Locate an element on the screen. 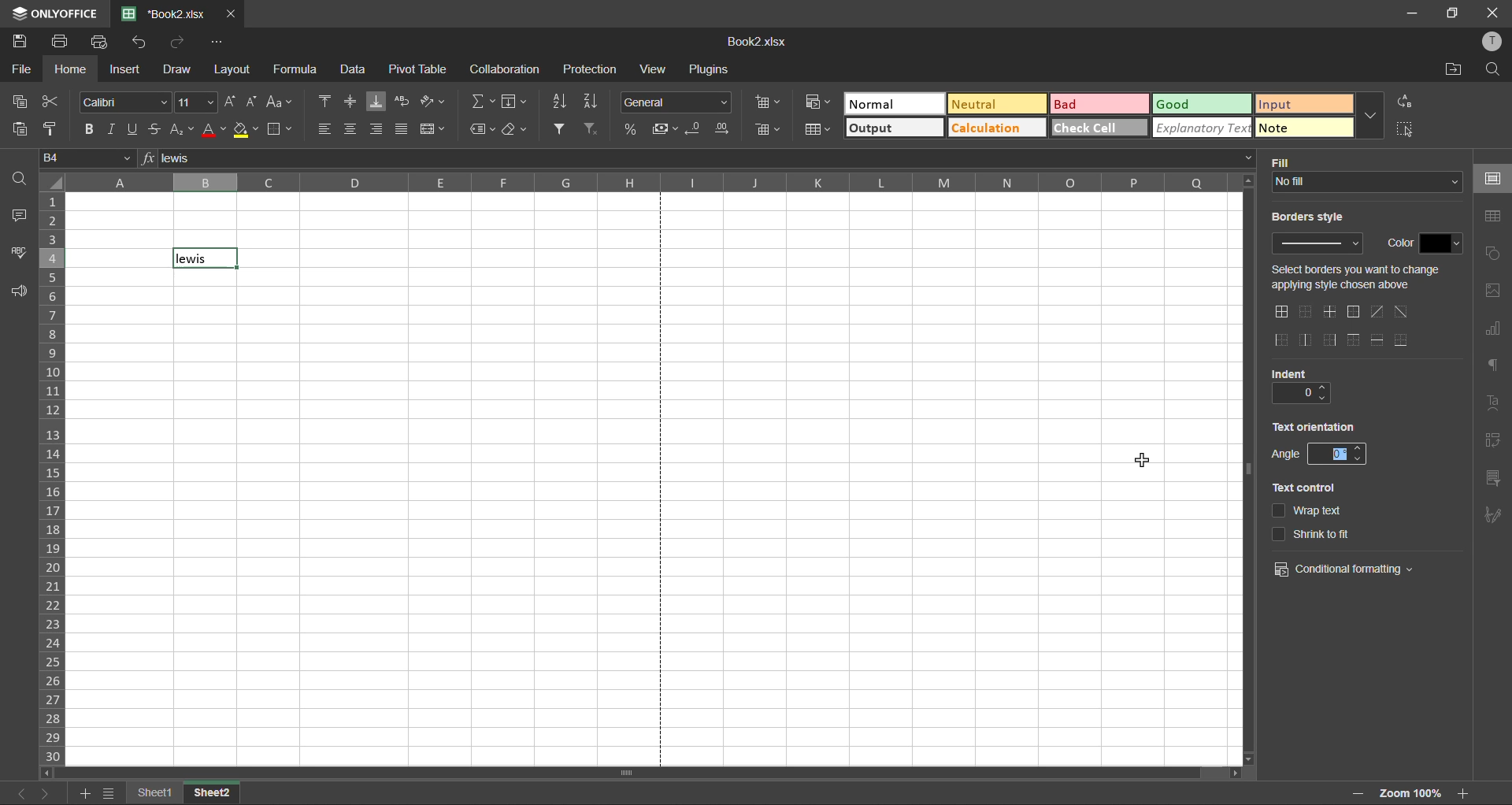  top border only is located at coordinates (1356, 339).